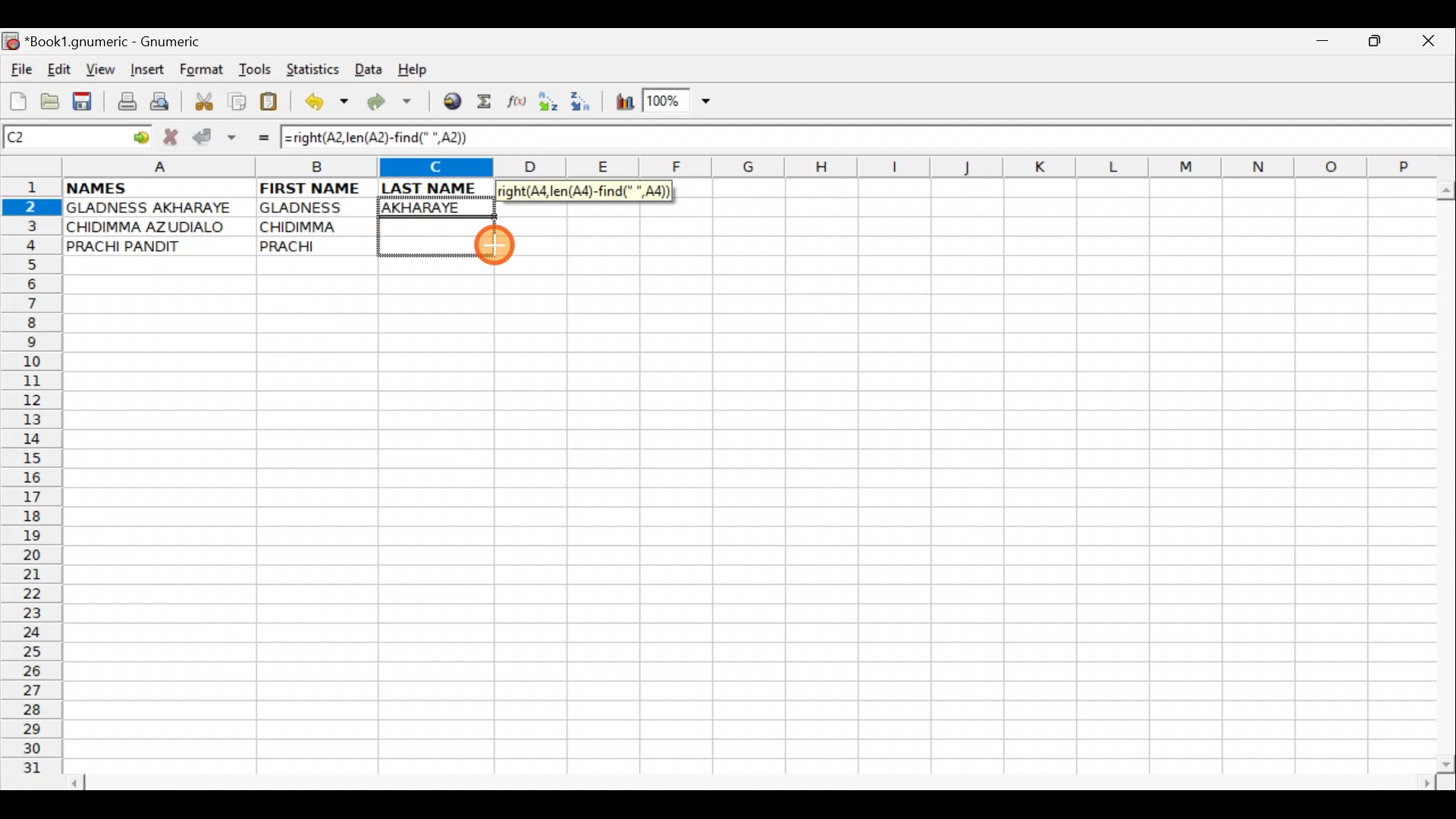 The image size is (1456, 819). What do you see at coordinates (203, 99) in the screenshot?
I see `Cut selection` at bounding box center [203, 99].